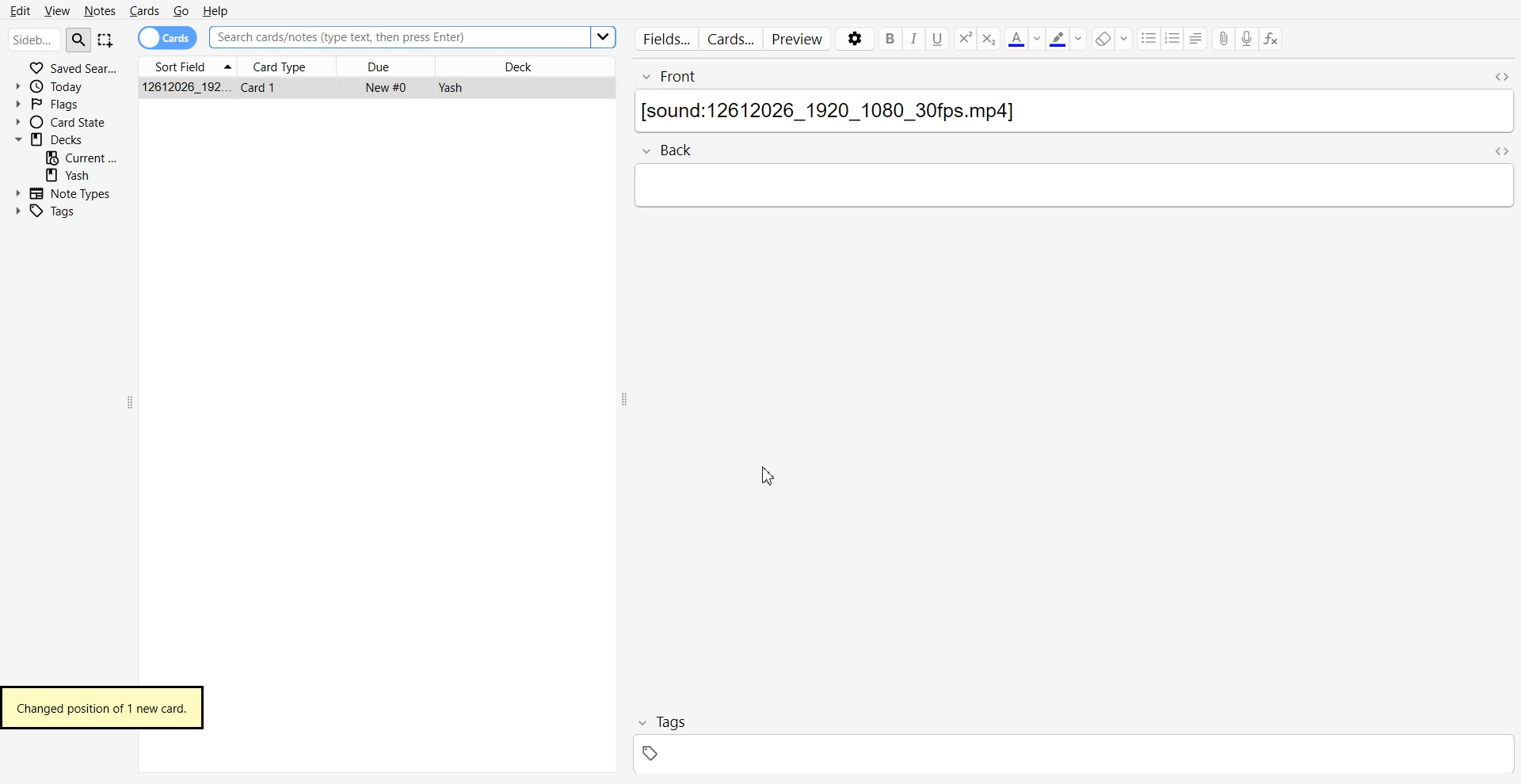  What do you see at coordinates (66, 139) in the screenshot?
I see `Deck` at bounding box center [66, 139].